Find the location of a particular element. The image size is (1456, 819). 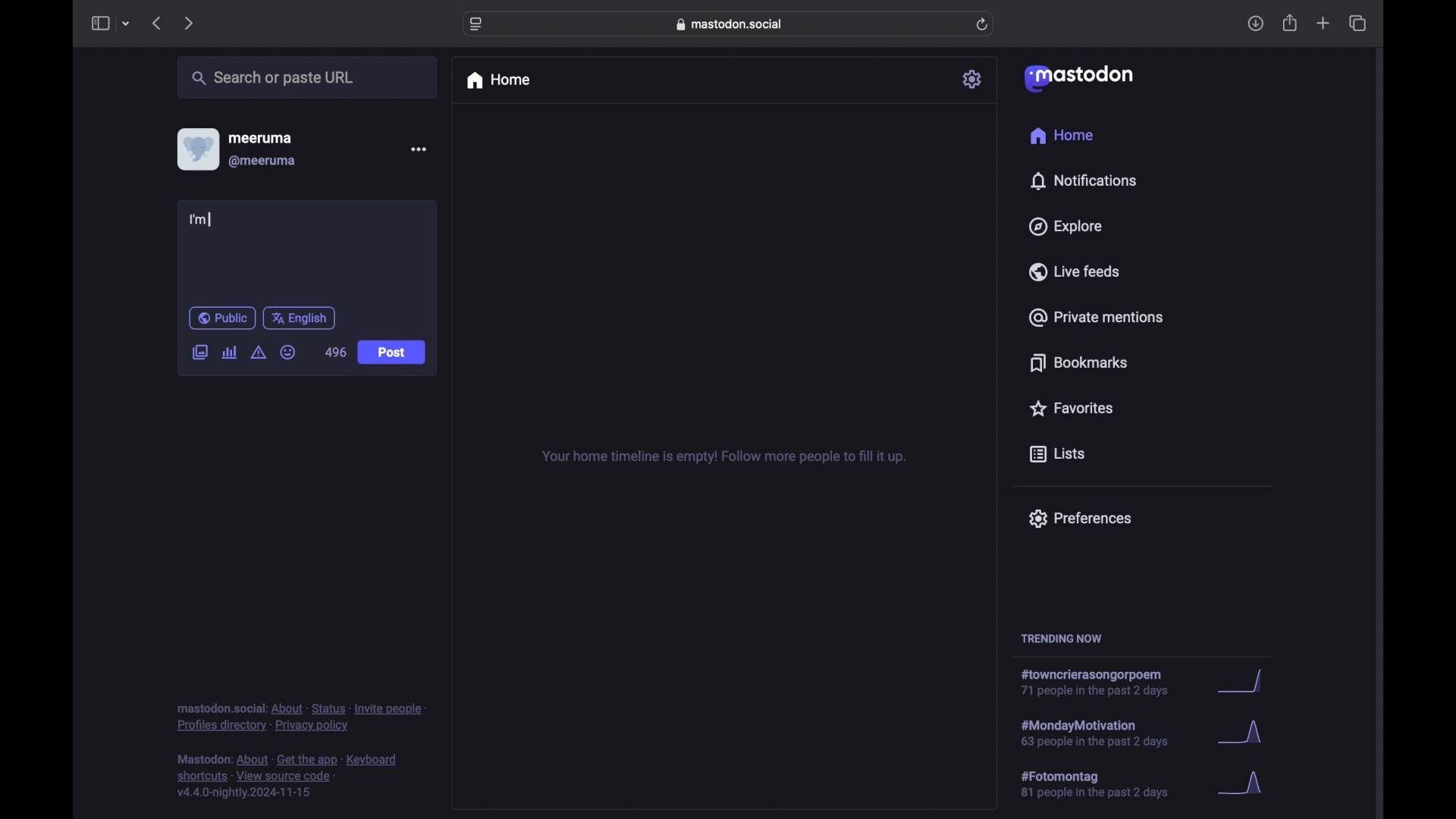

private mentions is located at coordinates (1095, 317).